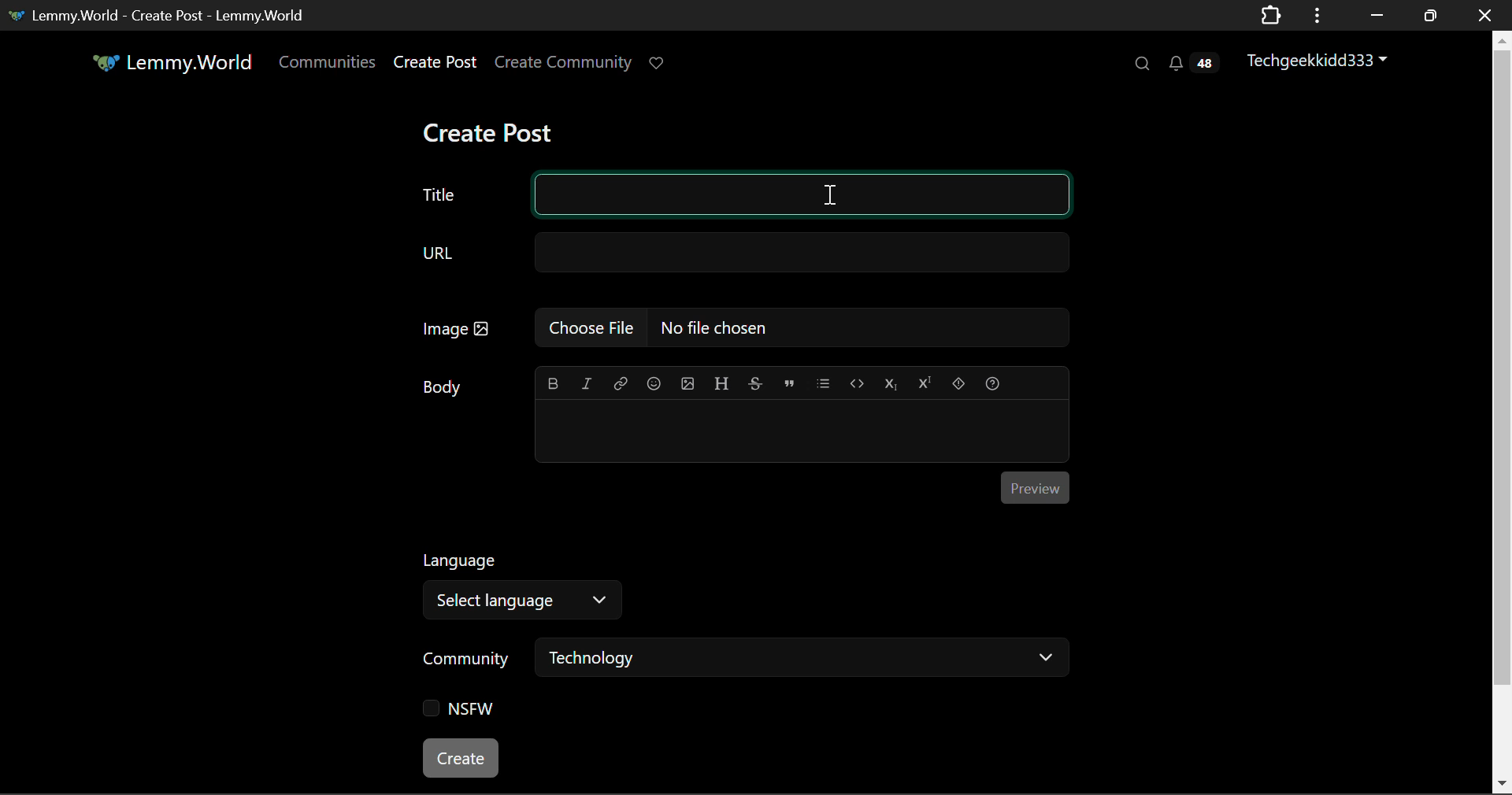 Image resolution: width=1512 pixels, height=795 pixels. Describe the element at coordinates (175, 65) in the screenshot. I see `Lemmy.World` at that location.